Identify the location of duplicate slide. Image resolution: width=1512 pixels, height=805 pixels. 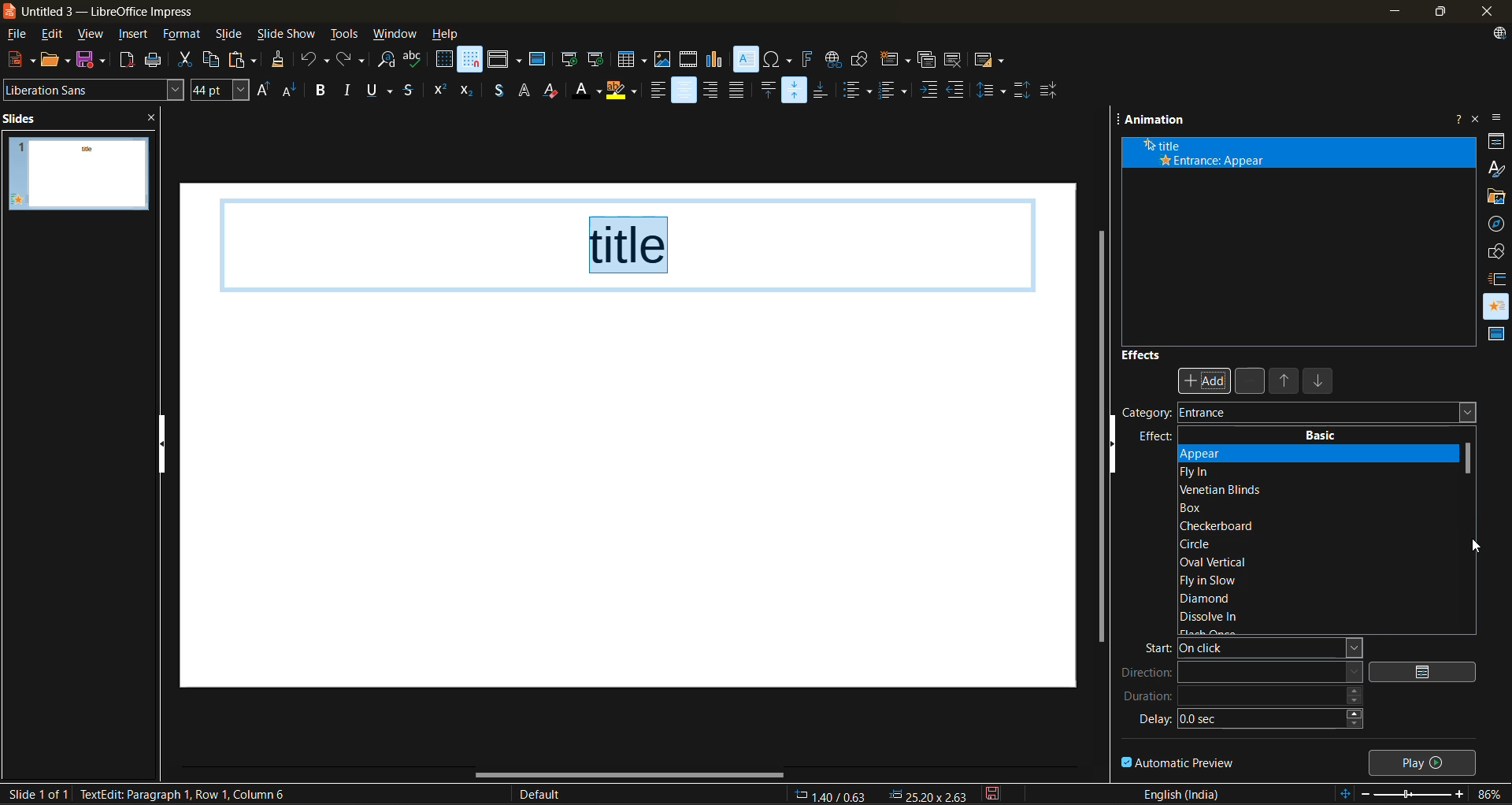
(927, 62).